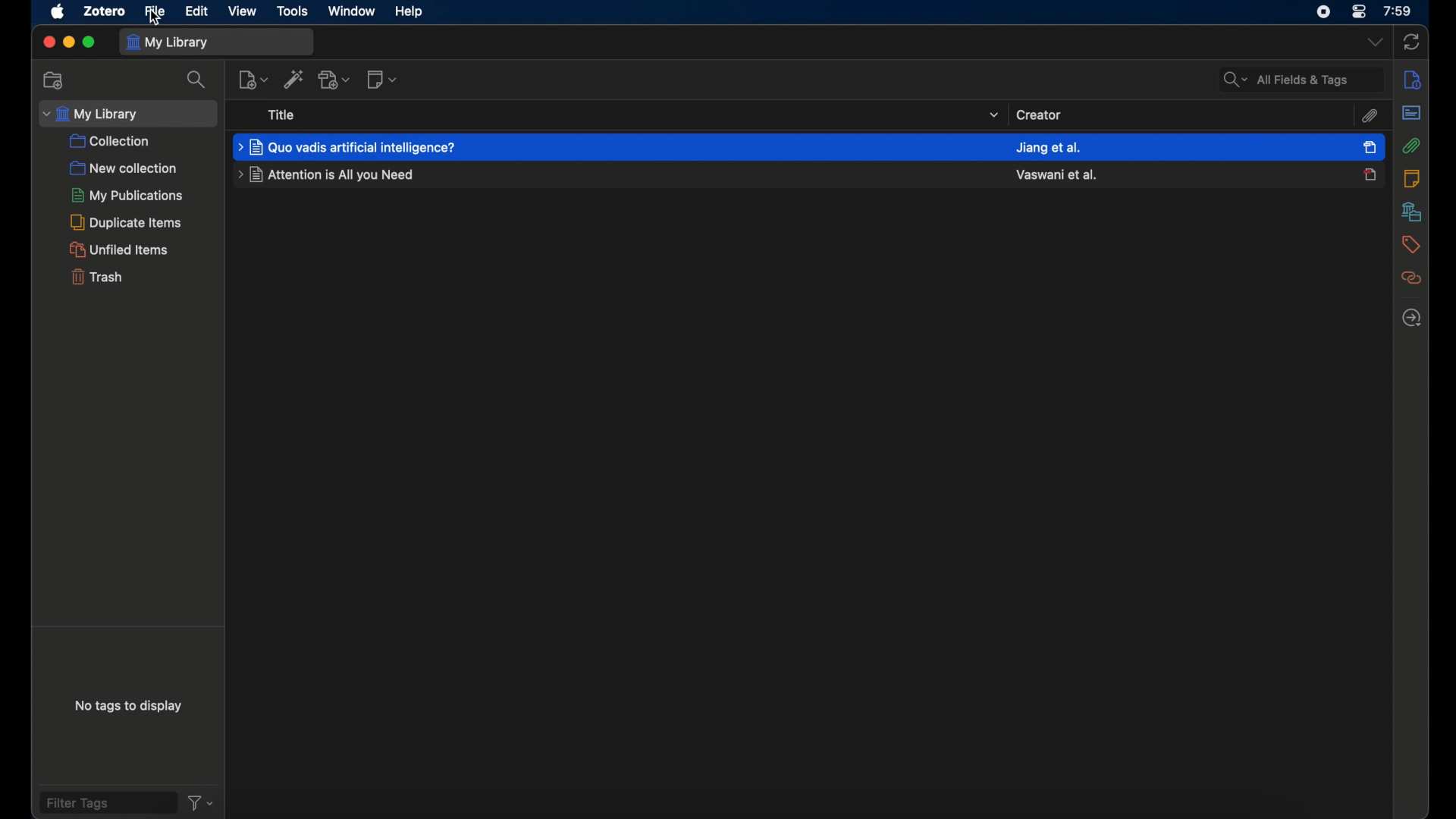 The image size is (1456, 819). Describe the element at coordinates (992, 115) in the screenshot. I see `title dropdown menu` at that location.